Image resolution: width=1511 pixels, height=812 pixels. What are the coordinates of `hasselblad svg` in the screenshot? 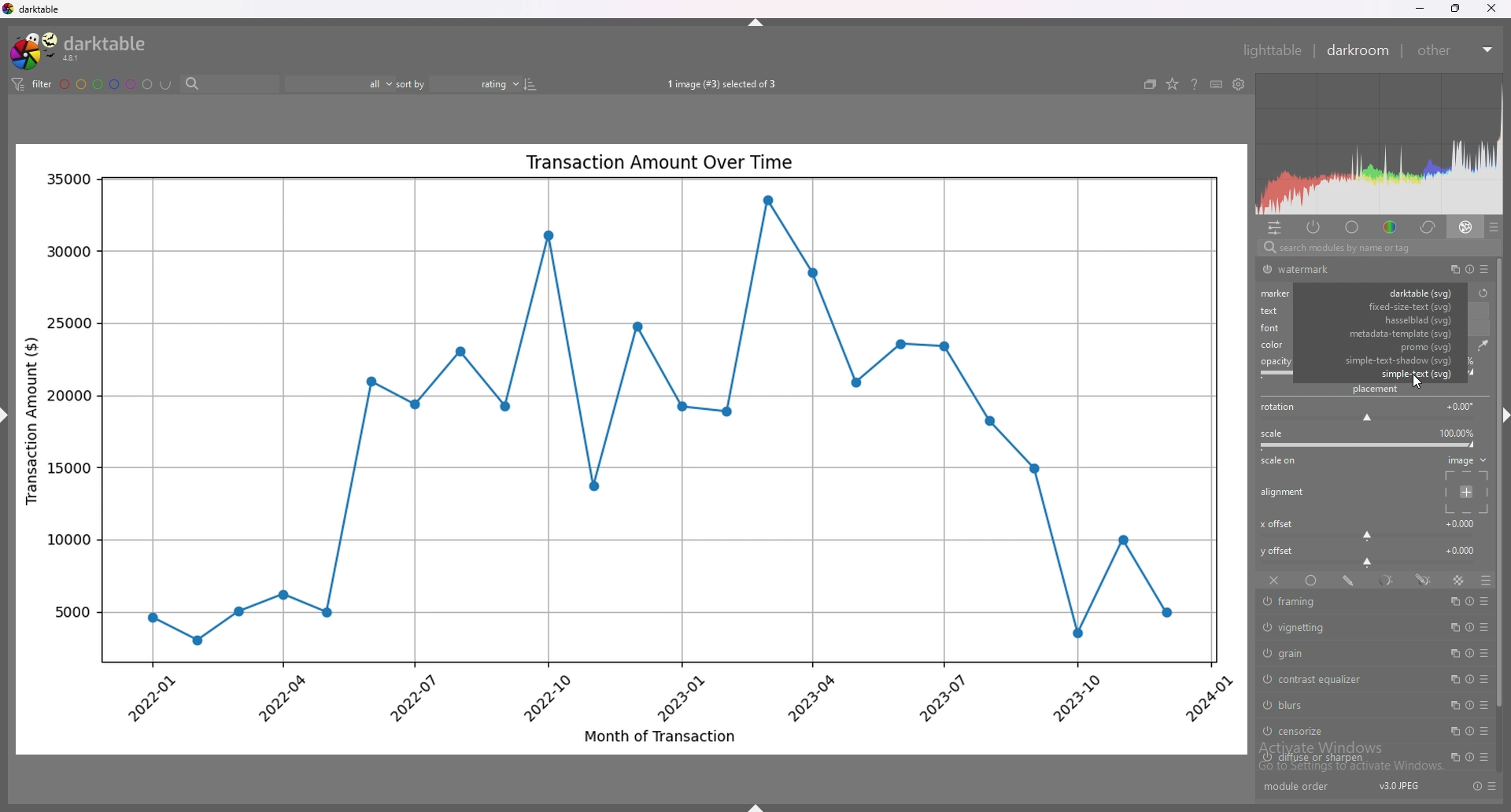 It's located at (1387, 320).